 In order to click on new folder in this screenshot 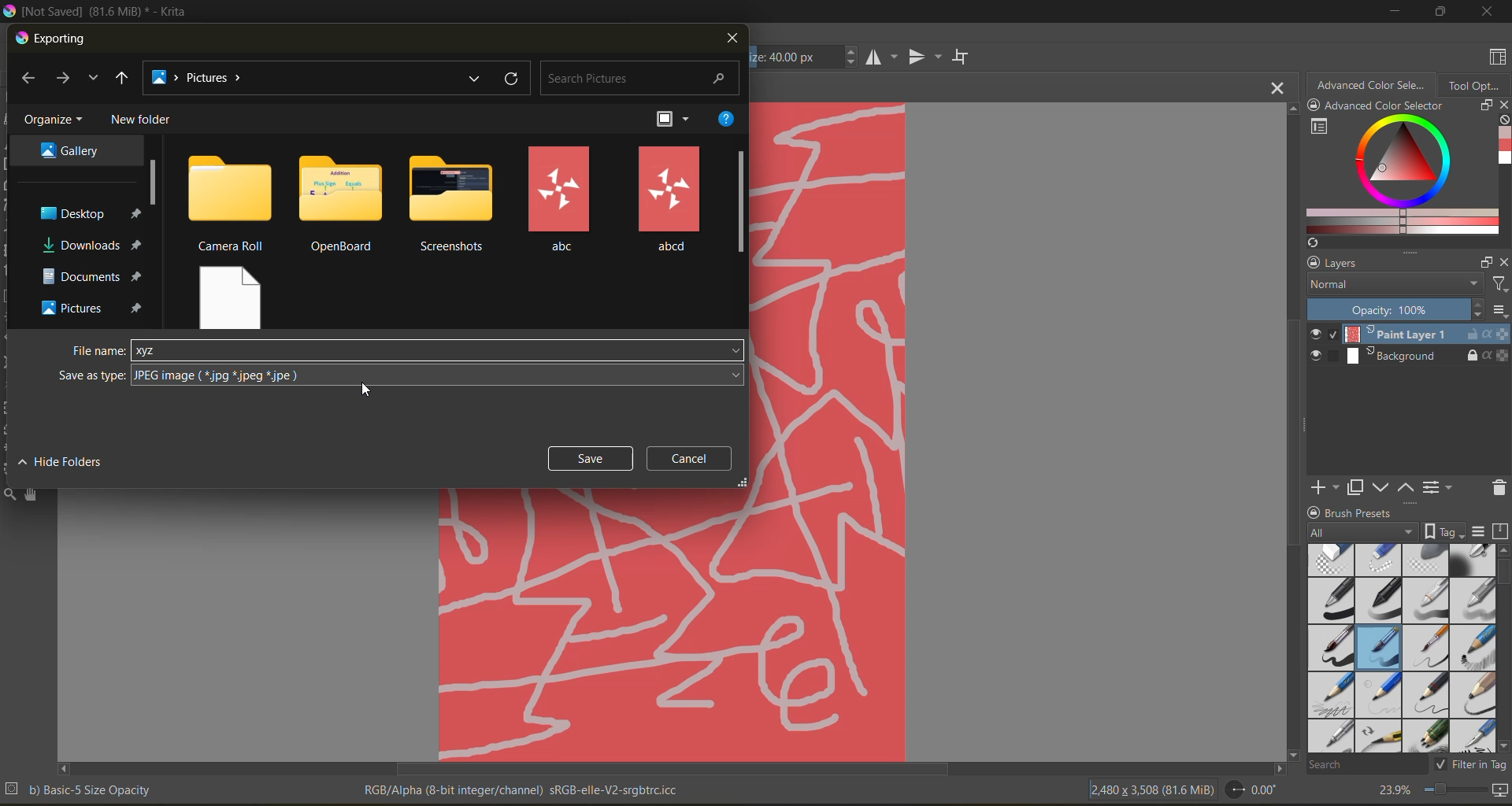, I will do `click(144, 120)`.